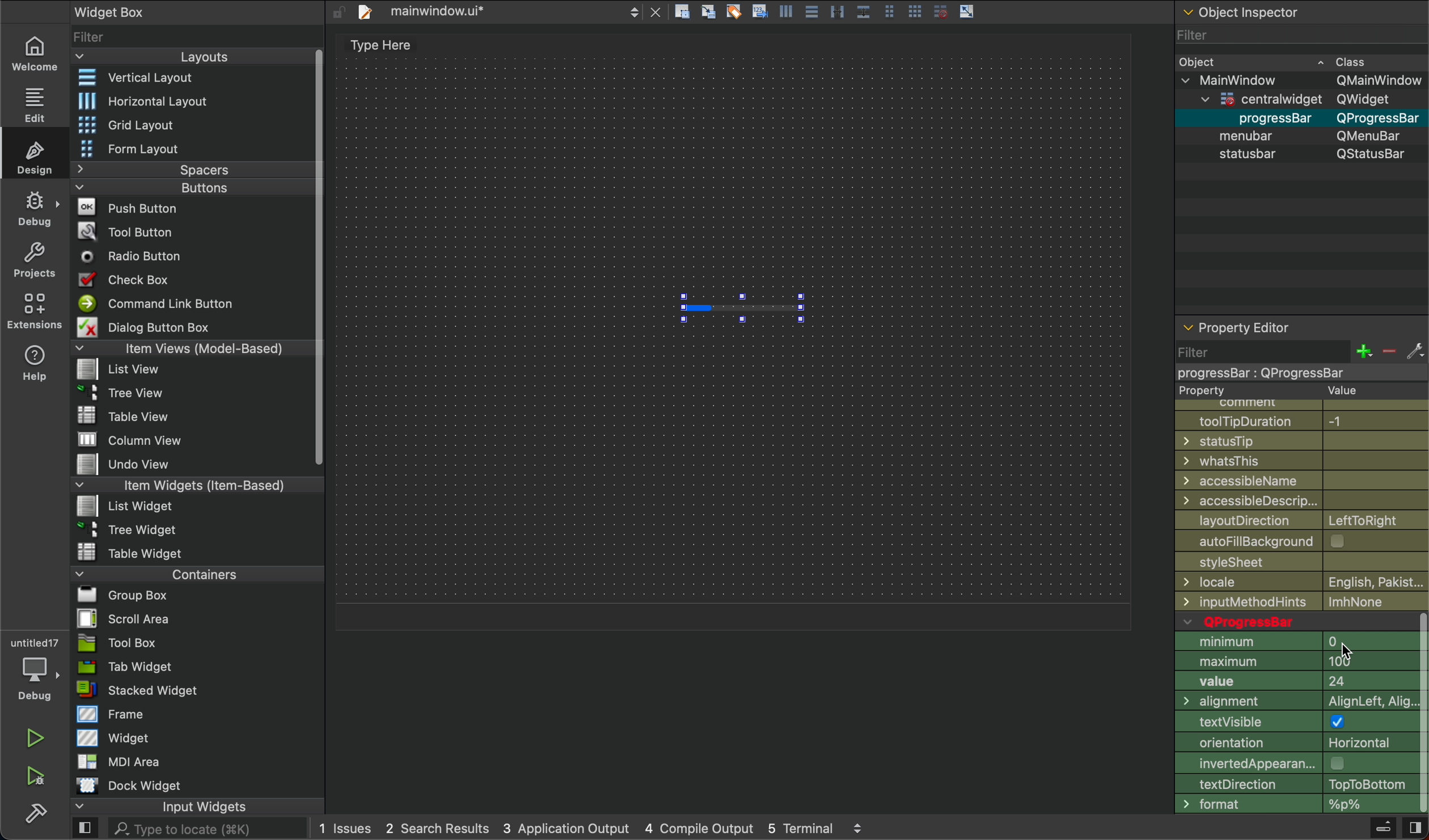 This screenshot has height=840, width=1429. Describe the element at coordinates (1293, 745) in the screenshot. I see `Orientation ` at that location.